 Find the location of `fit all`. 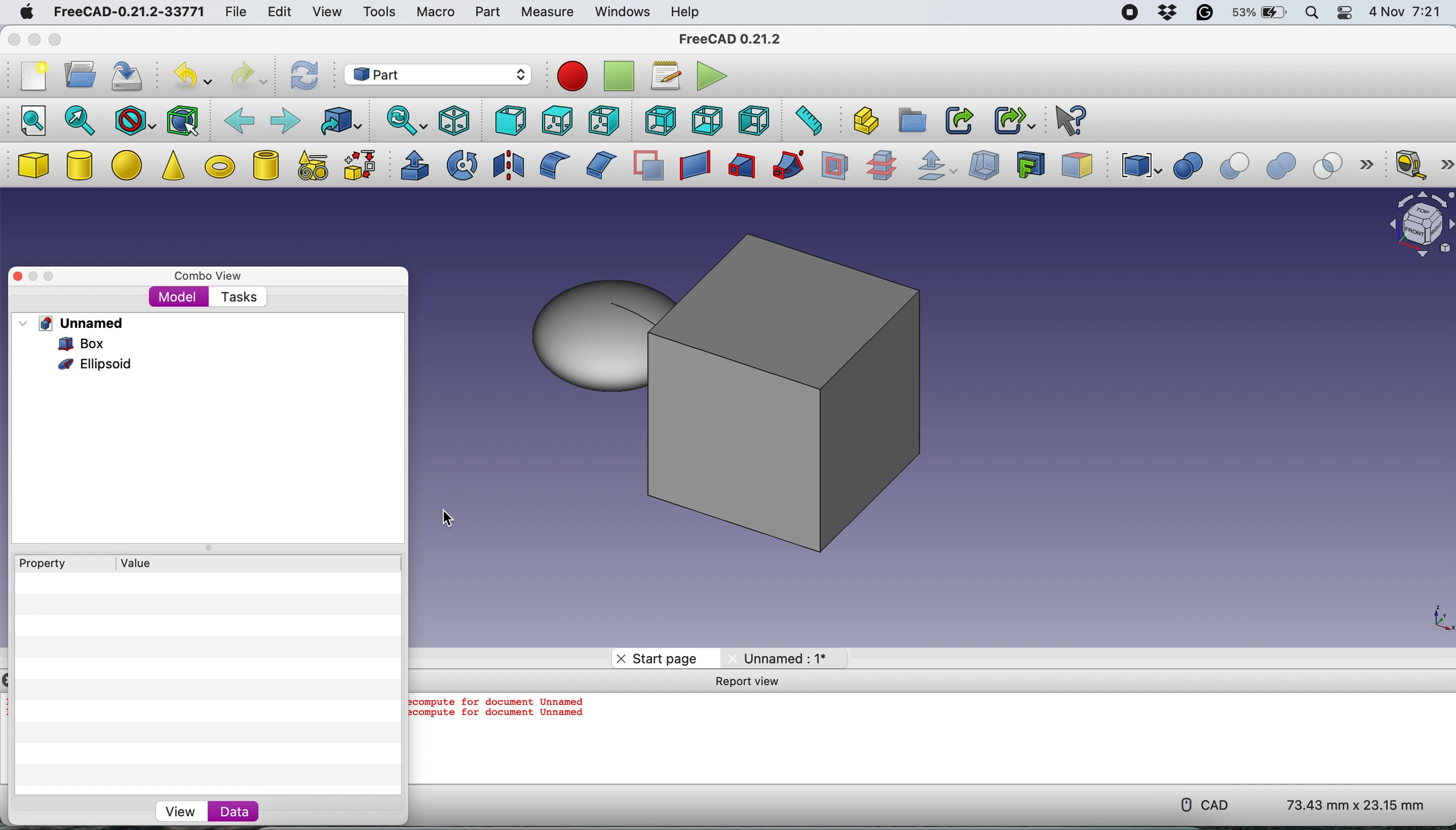

fit all is located at coordinates (28, 119).